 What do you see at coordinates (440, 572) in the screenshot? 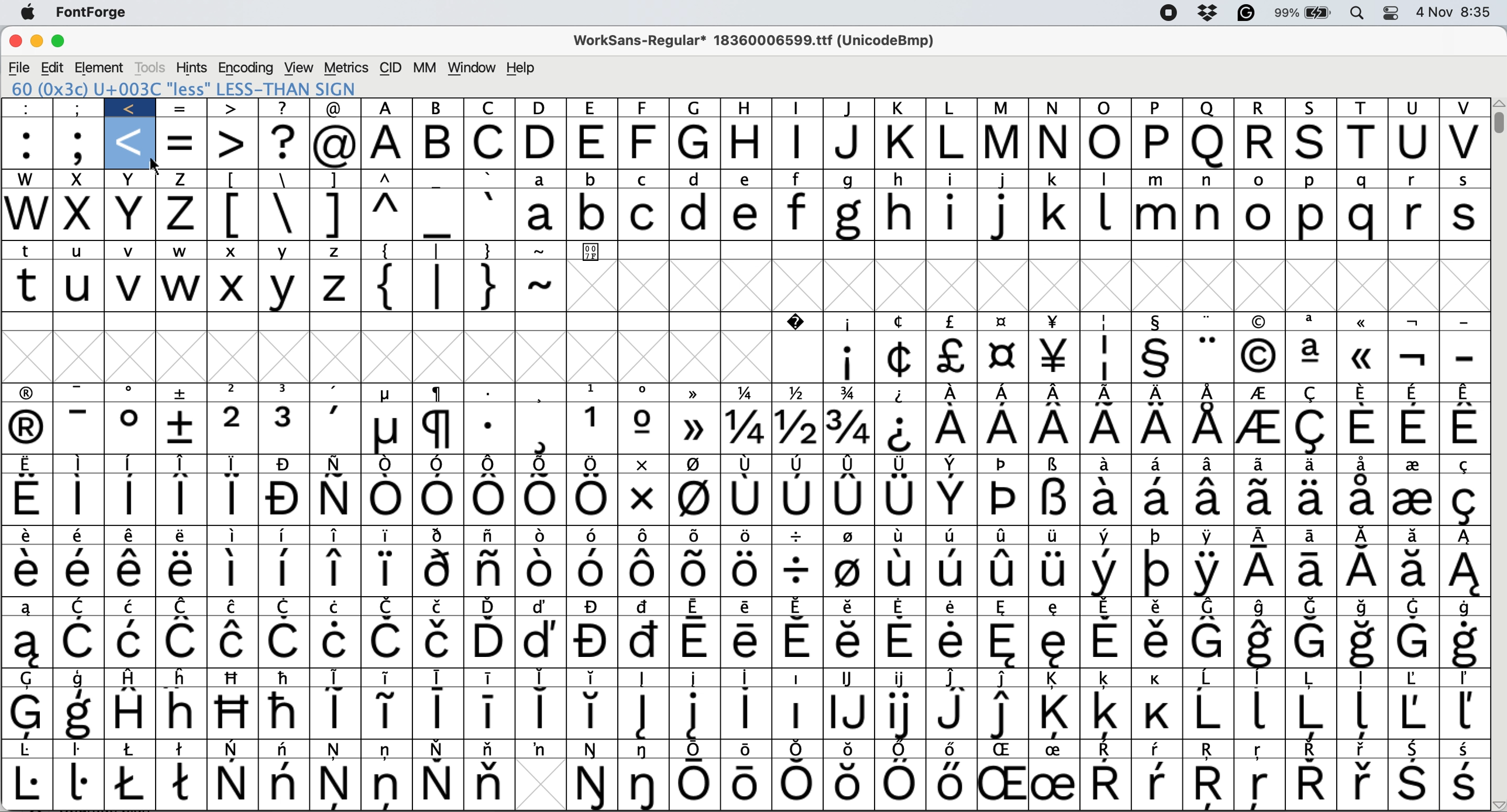
I see `Symbol` at bounding box center [440, 572].